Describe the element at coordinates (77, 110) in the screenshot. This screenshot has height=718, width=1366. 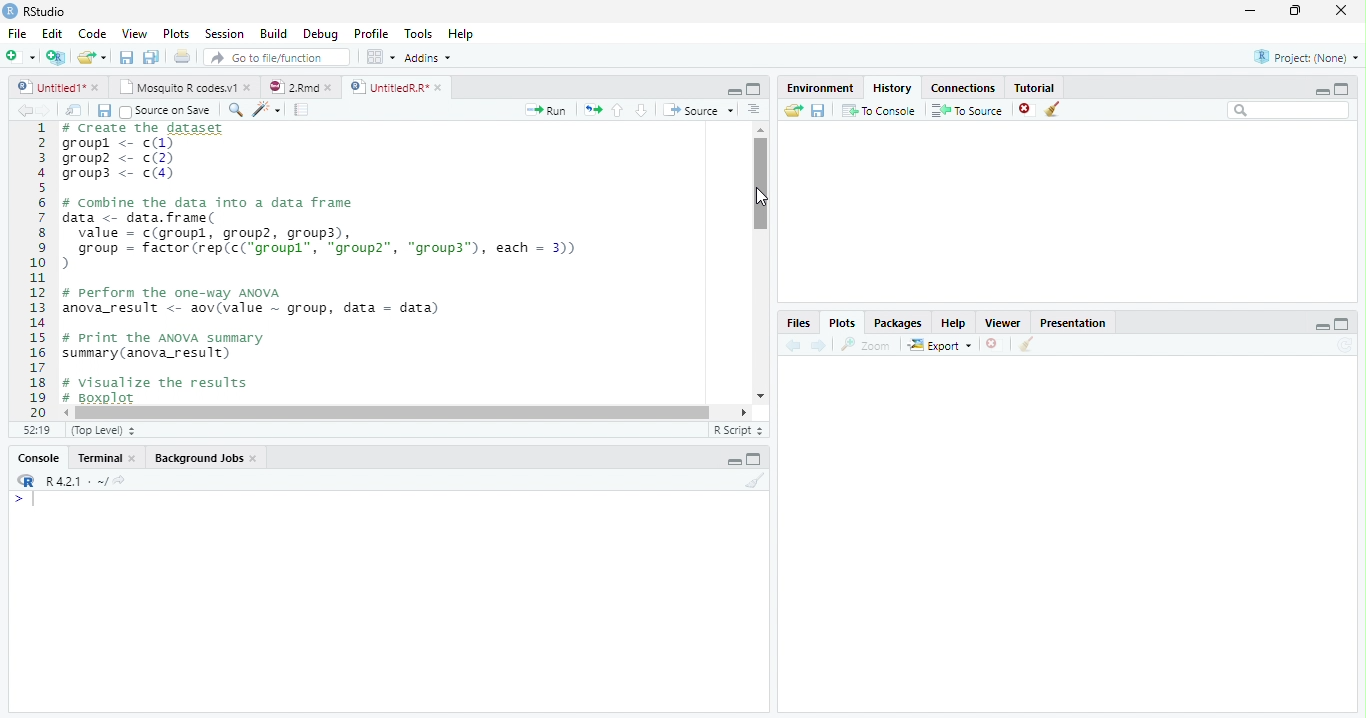
I see `Show in new window` at that location.